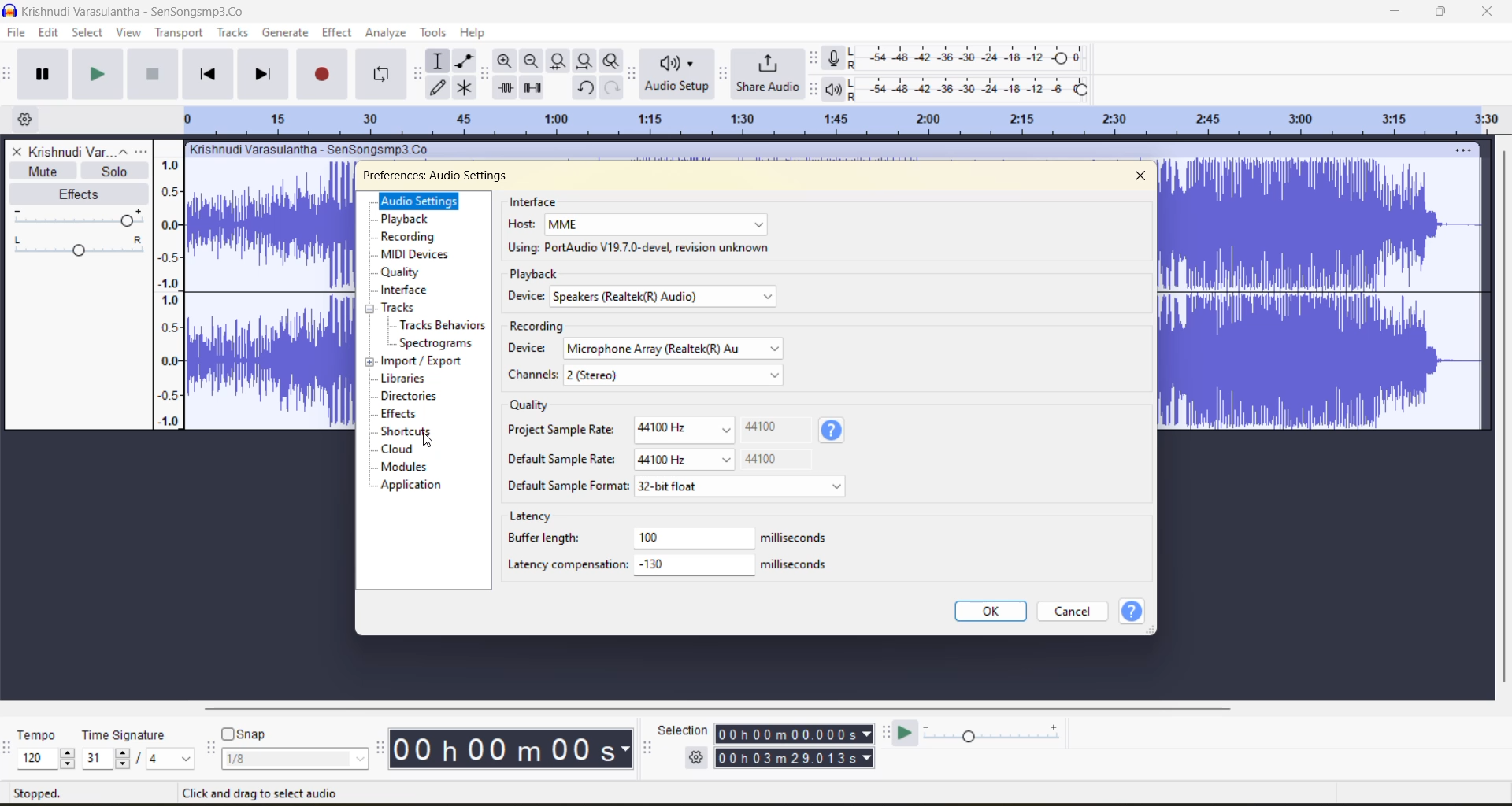 The width and height of the screenshot is (1512, 806). I want to click on Pan guide, so click(129, 241).